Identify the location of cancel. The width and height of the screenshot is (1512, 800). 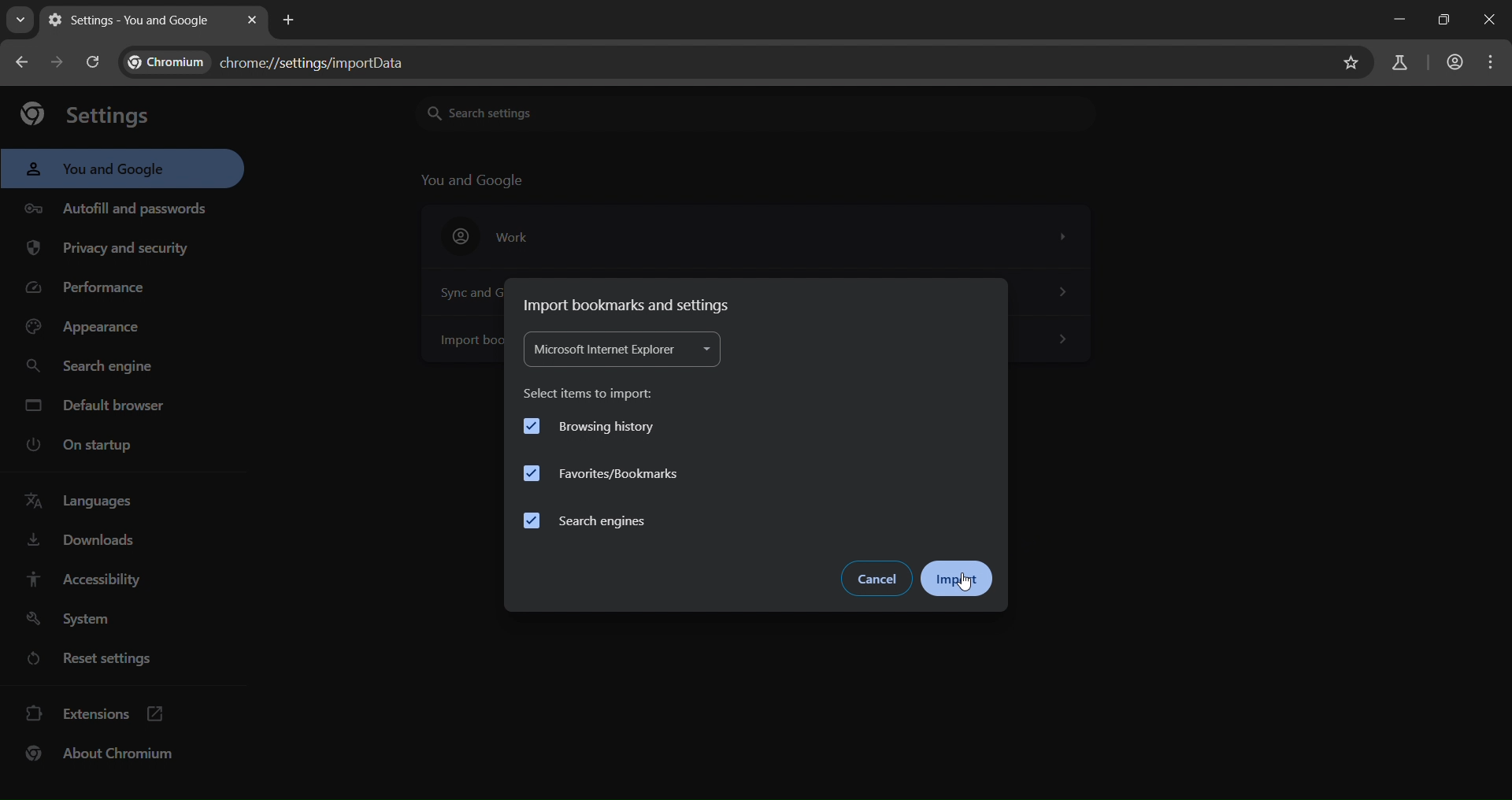
(877, 577).